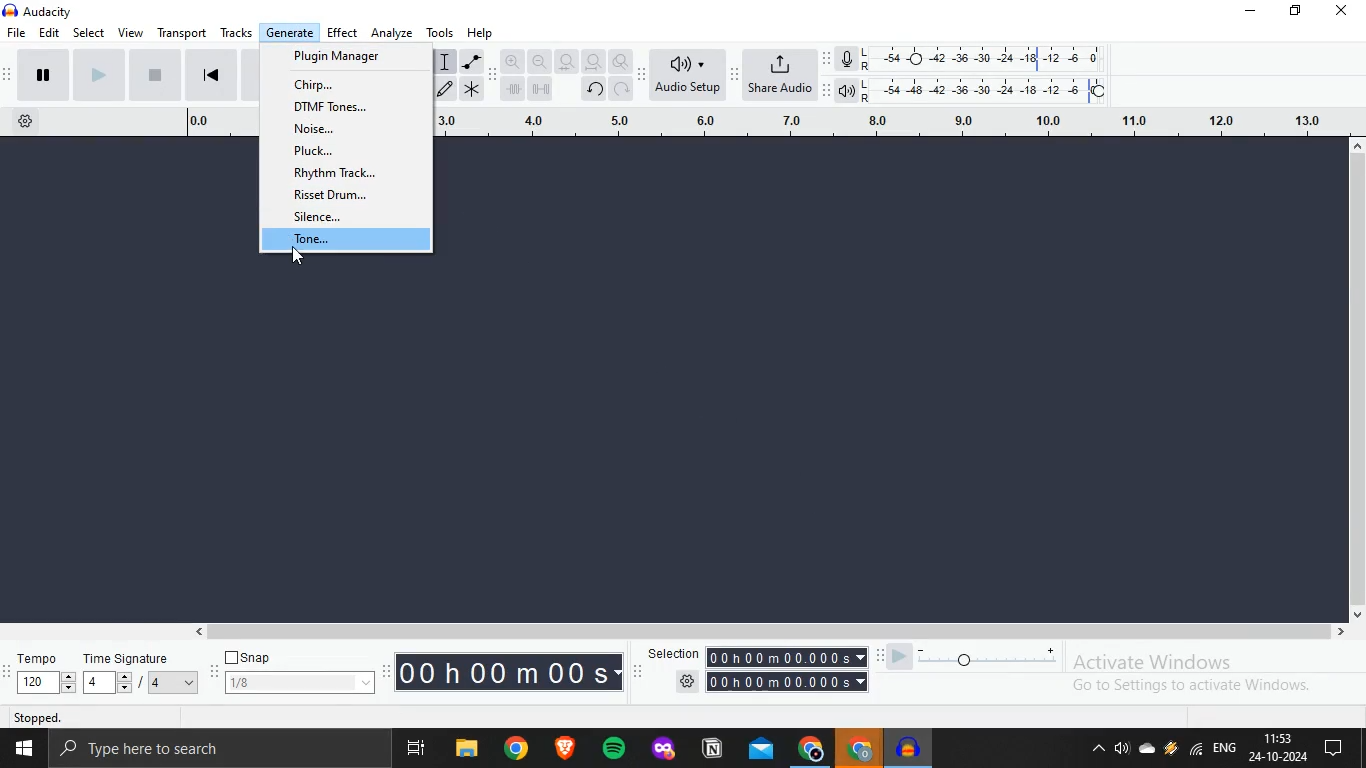 This screenshot has height=768, width=1366. I want to click on Chrome, so click(809, 750).